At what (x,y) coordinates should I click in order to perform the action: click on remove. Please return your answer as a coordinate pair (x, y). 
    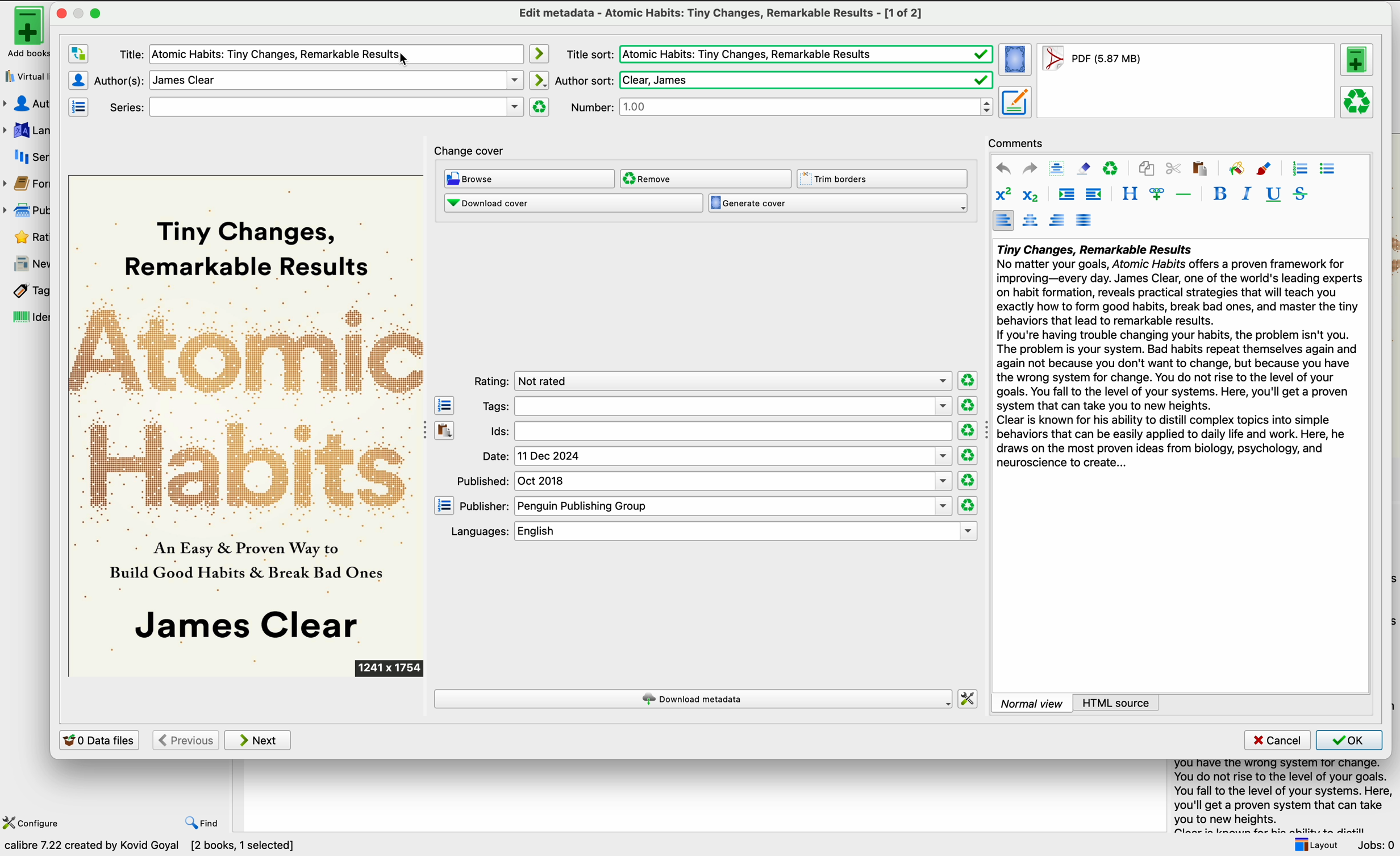
    Looking at the image, I should click on (706, 179).